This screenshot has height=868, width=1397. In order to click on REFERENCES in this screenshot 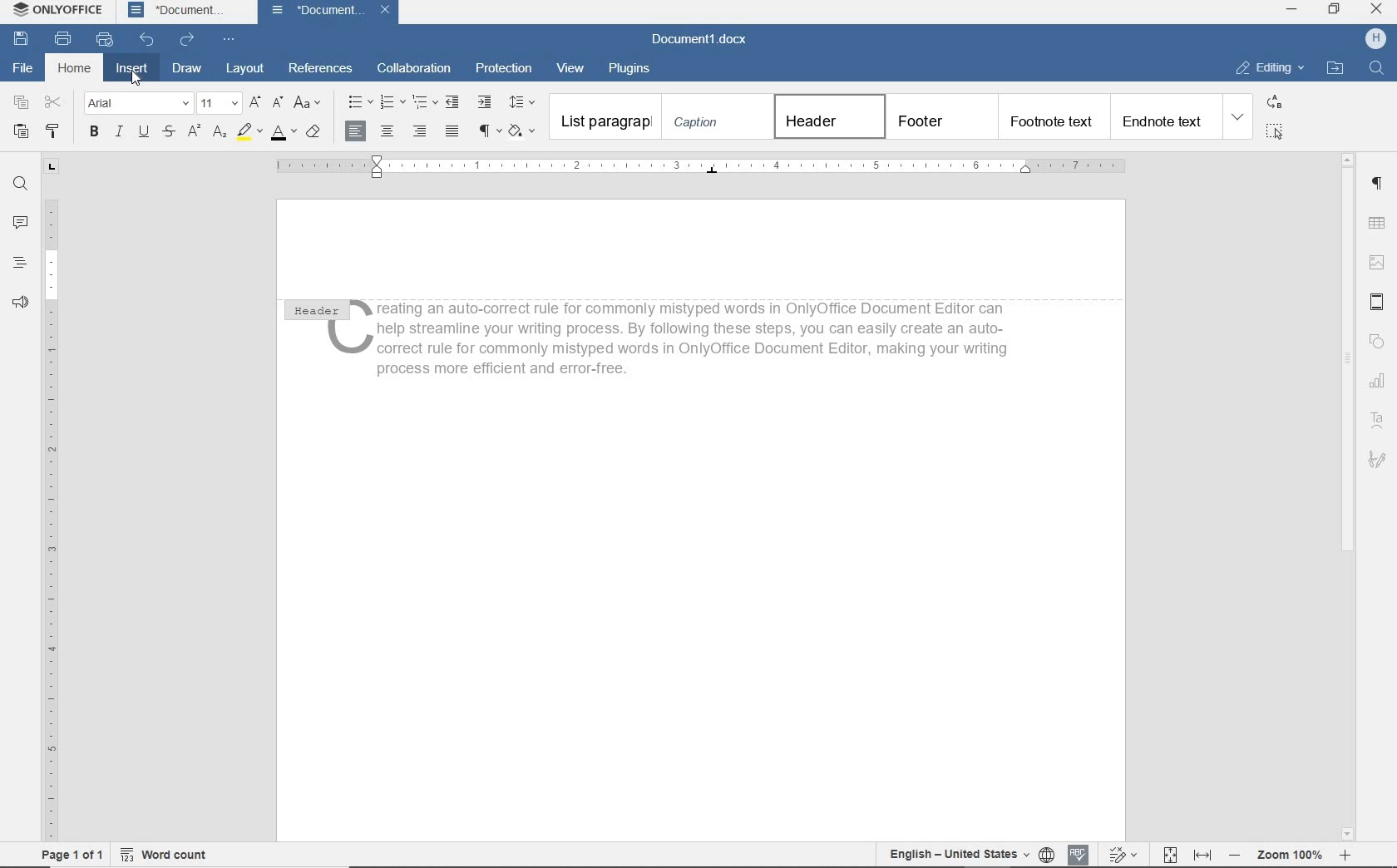, I will do `click(323, 70)`.